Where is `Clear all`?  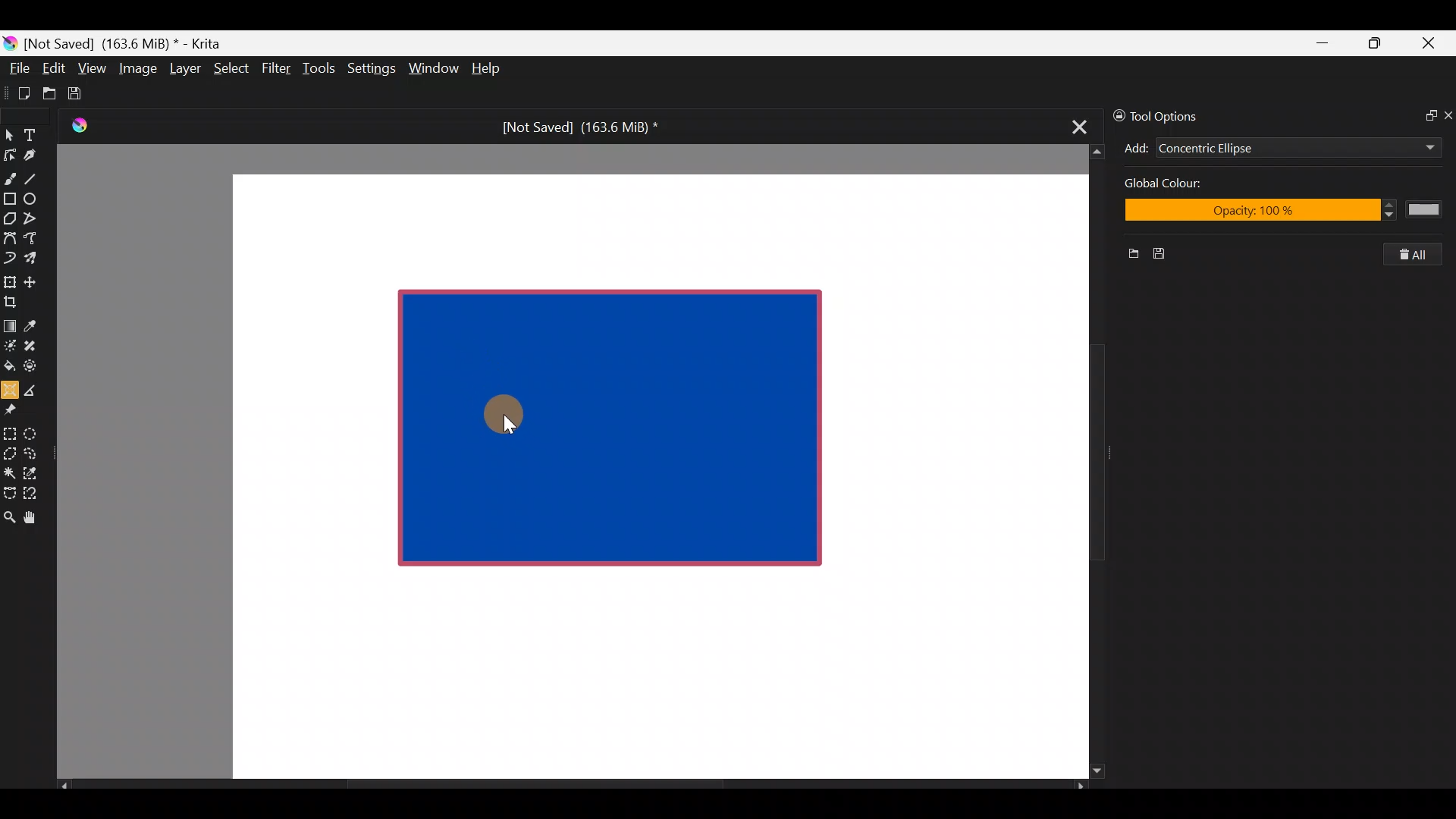 Clear all is located at coordinates (1420, 254).